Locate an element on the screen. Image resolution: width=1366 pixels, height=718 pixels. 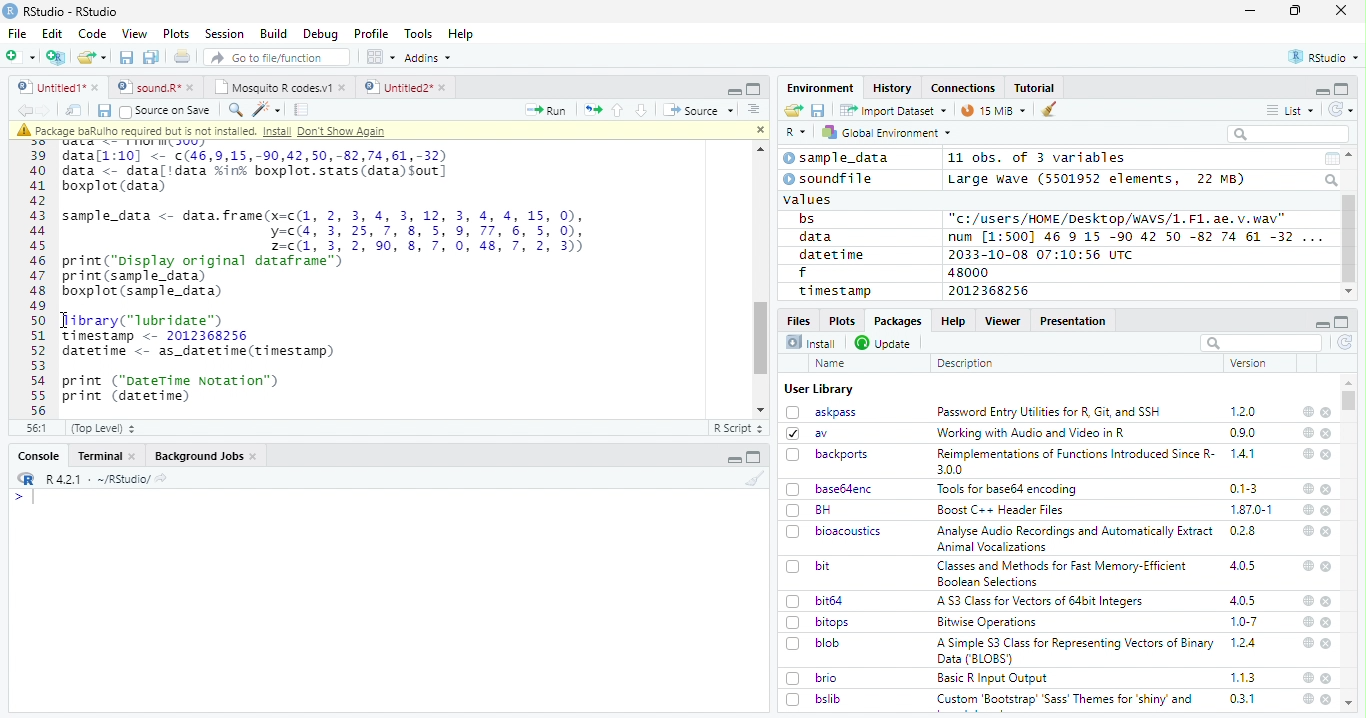
minimize is located at coordinates (736, 457).